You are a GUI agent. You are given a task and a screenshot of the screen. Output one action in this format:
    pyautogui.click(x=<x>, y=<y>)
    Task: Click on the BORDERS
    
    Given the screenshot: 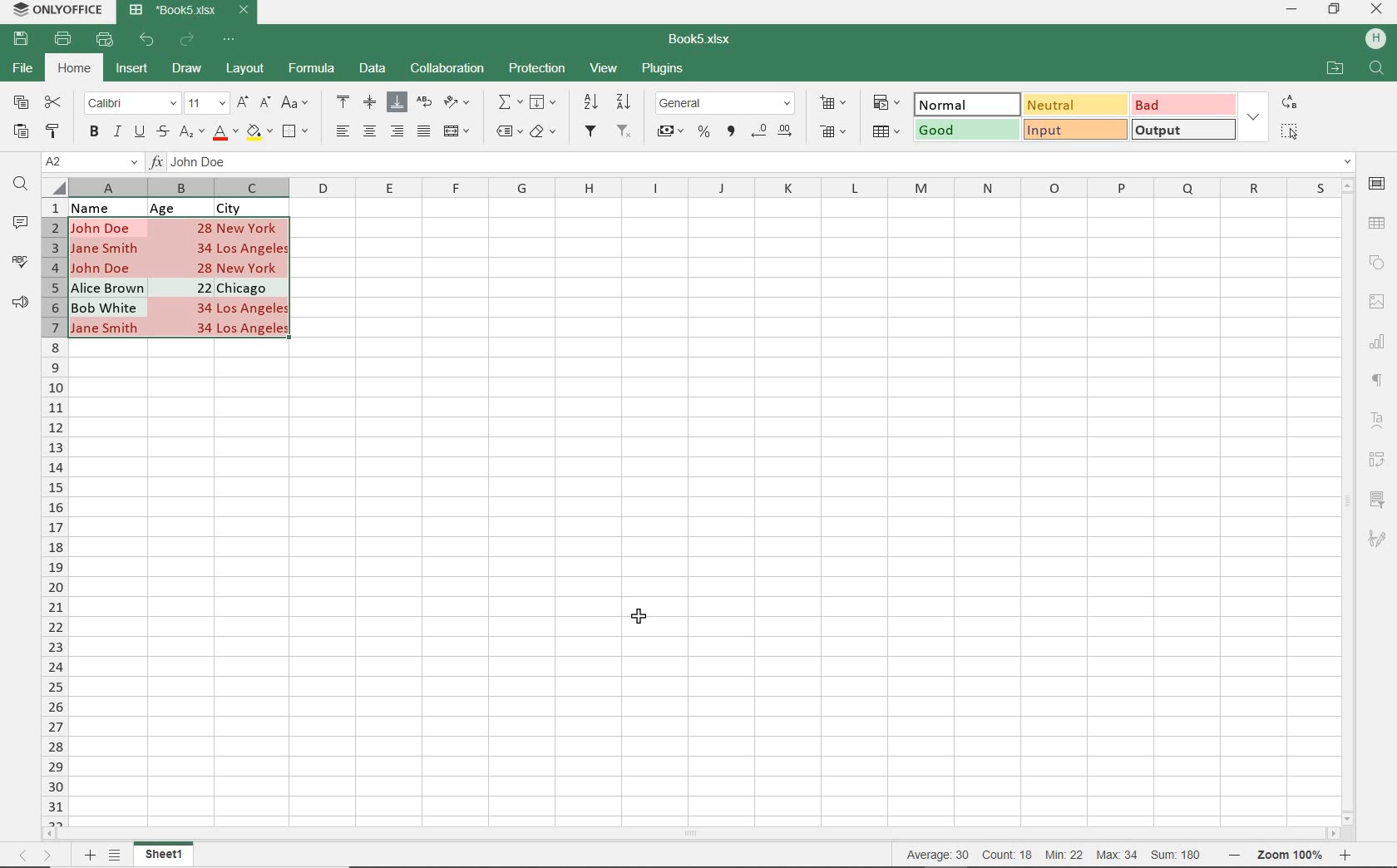 What is the action you would take?
    pyautogui.click(x=298, y=132)
    